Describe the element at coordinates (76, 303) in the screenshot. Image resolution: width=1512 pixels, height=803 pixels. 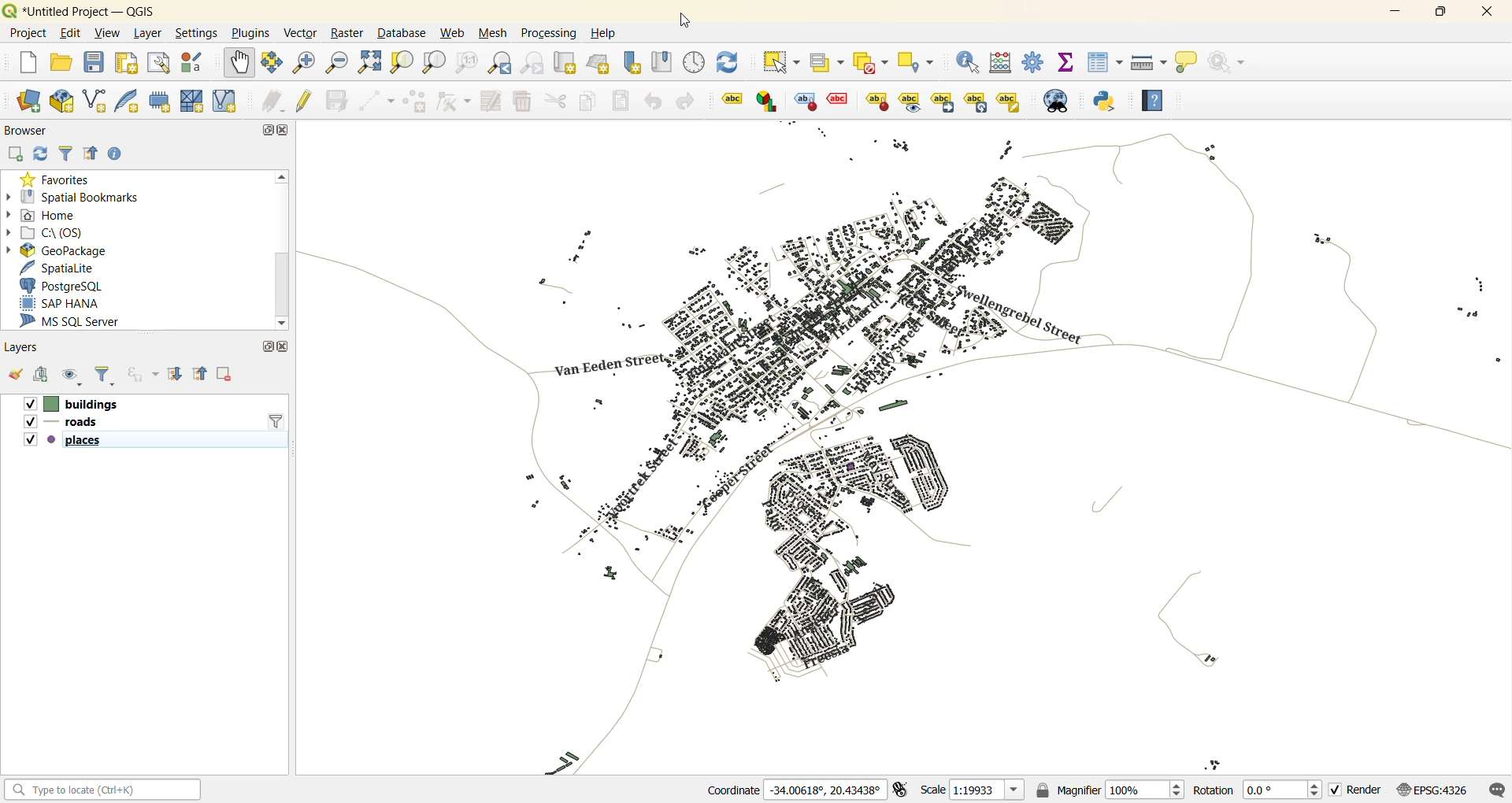
I see `sap hana` at that location.